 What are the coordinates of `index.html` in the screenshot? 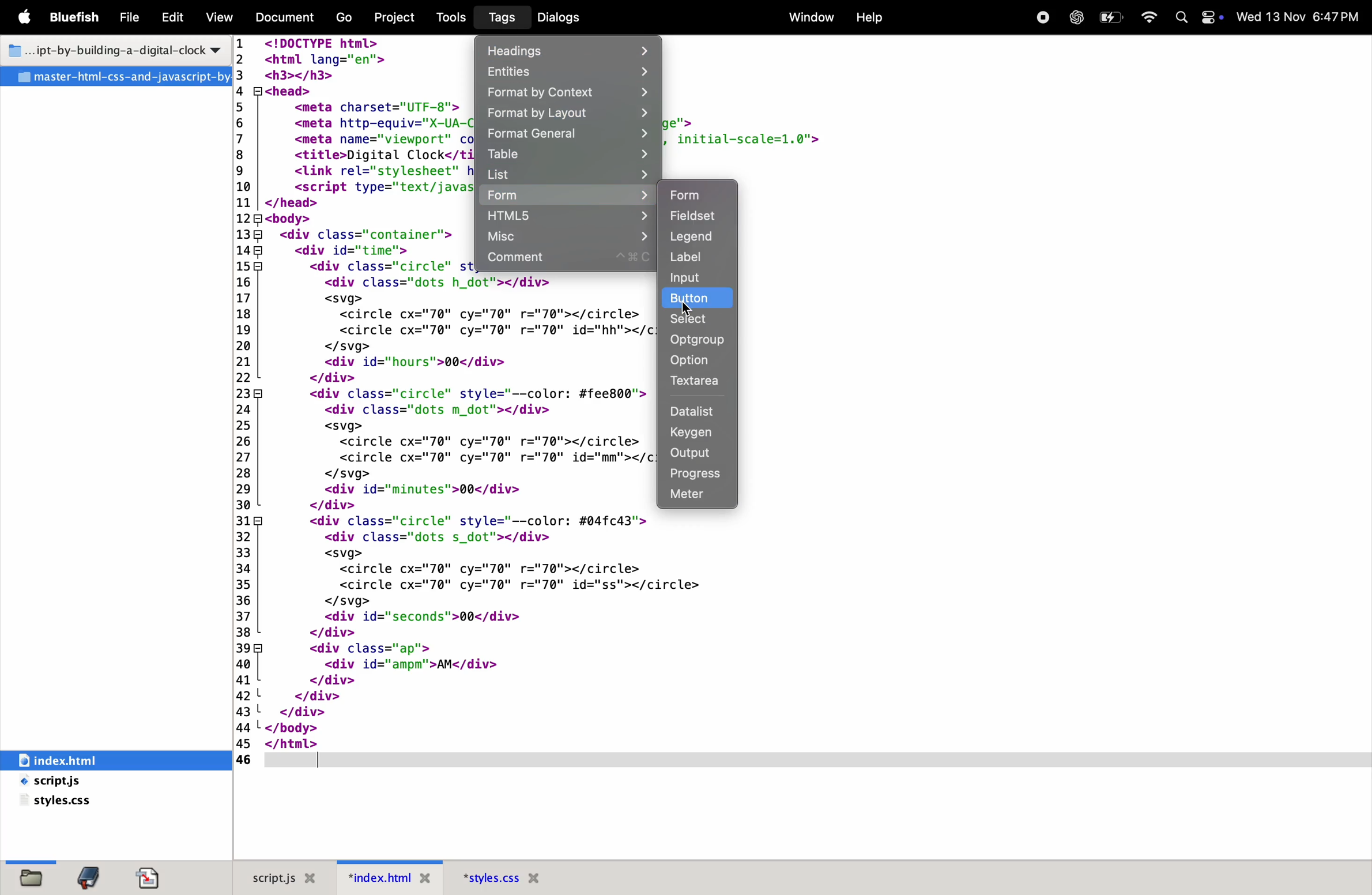 It's located at (377, 877).